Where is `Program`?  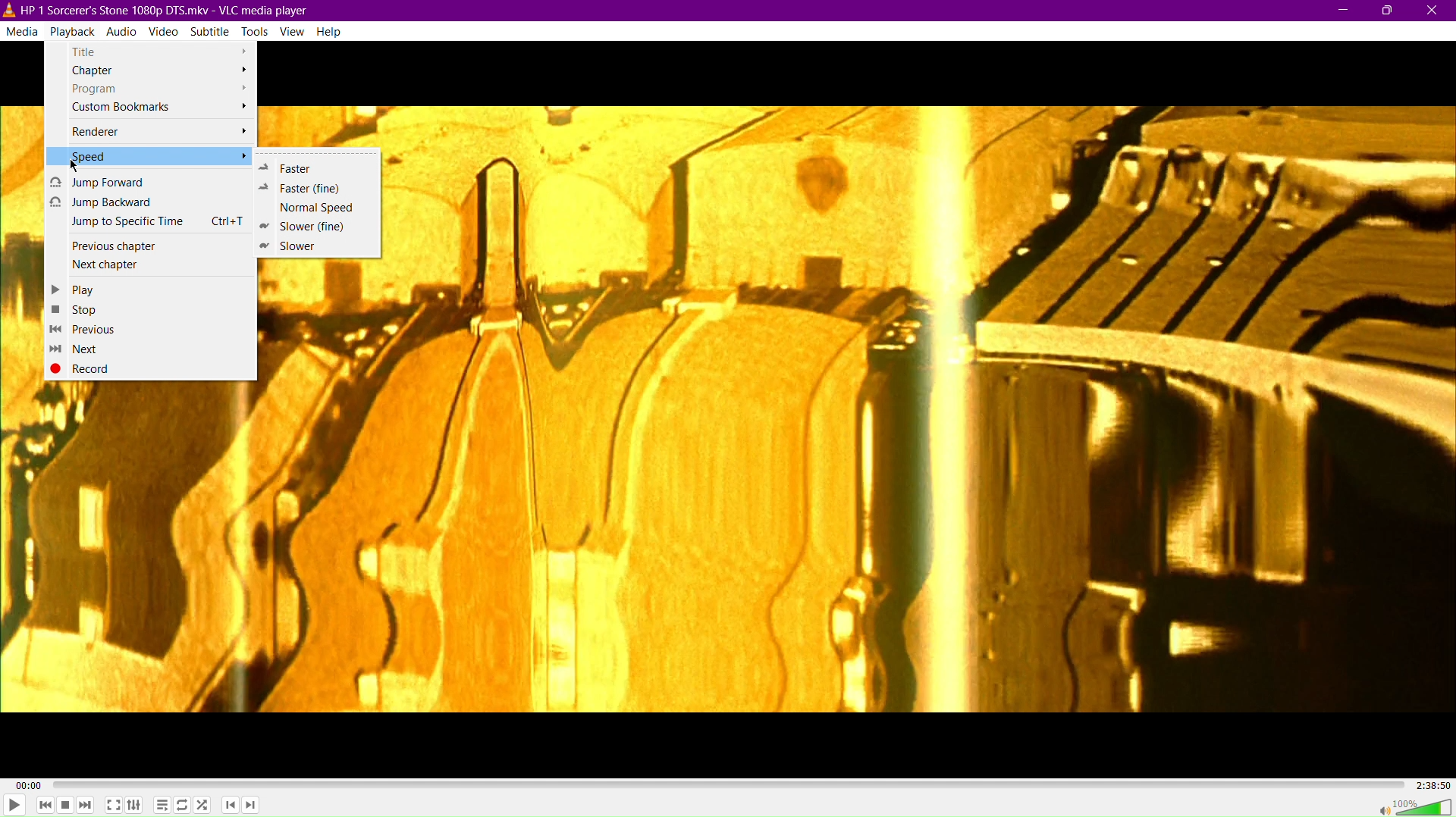 Program is located at coordinates (155, 89).